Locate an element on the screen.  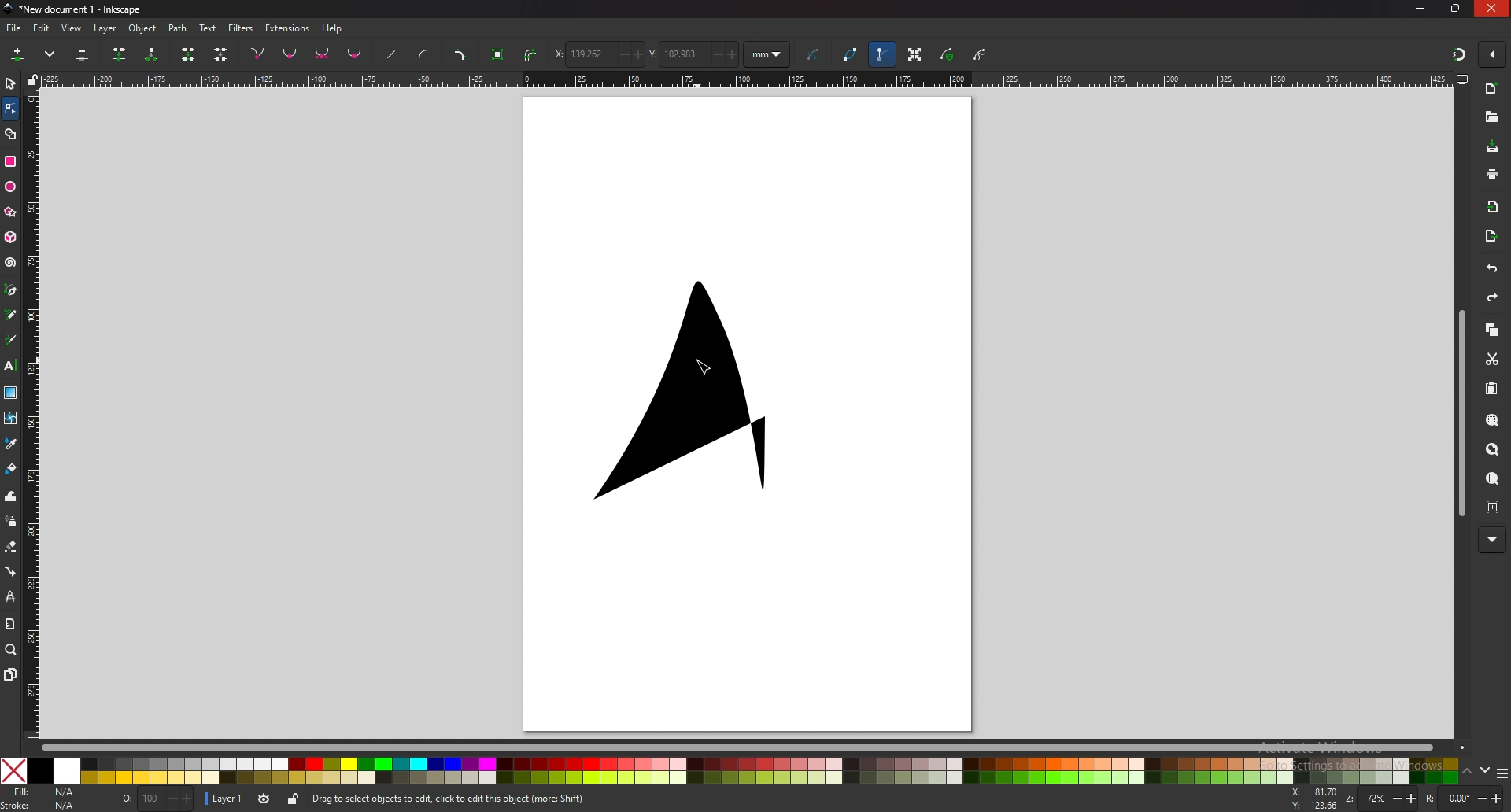
zoom centre page is located at coordinates (1494, 508).